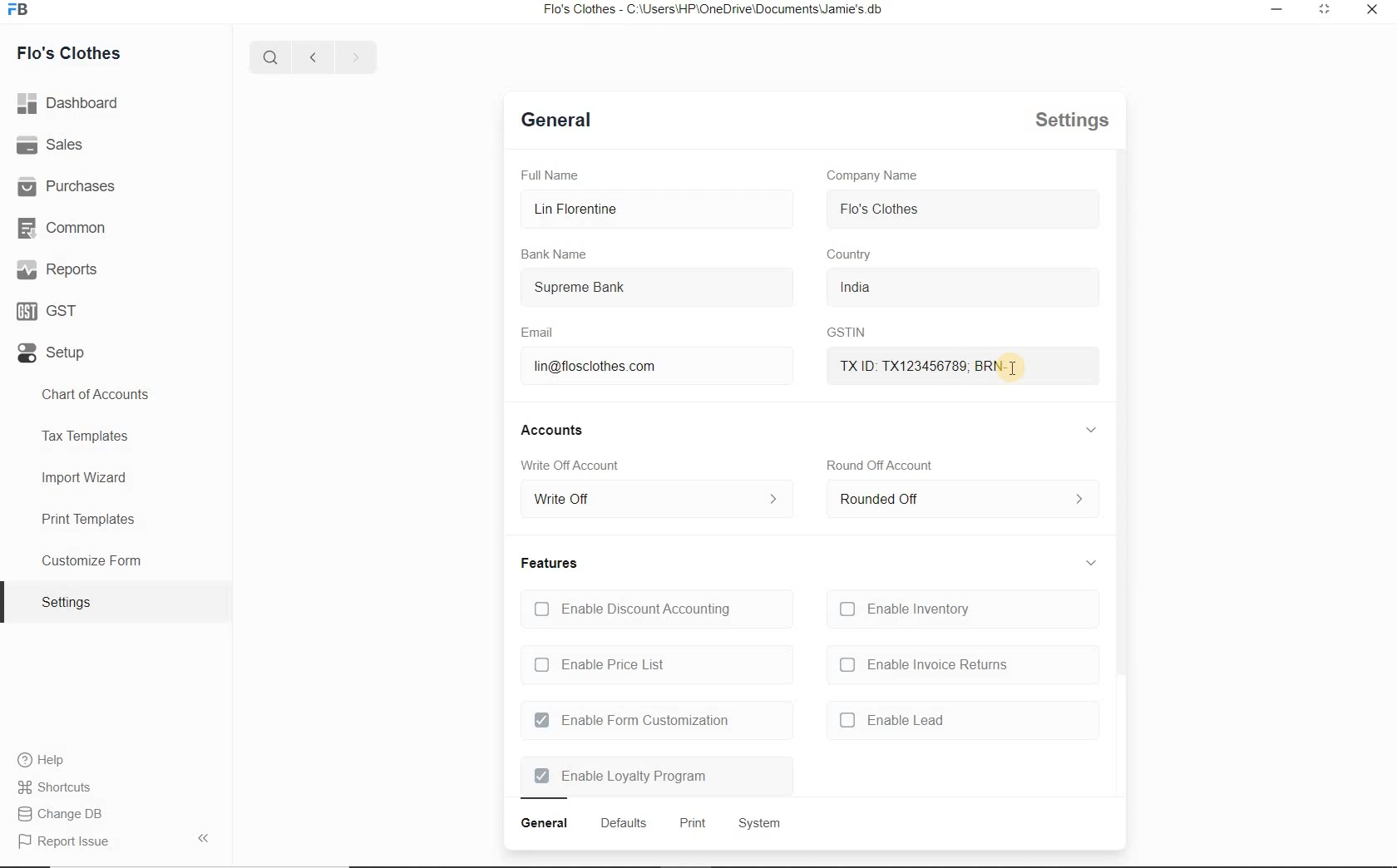  What do you see at coordinates (1092, 559) in the screenshot?
I see `collapse` at bounding box center [1092, 559].